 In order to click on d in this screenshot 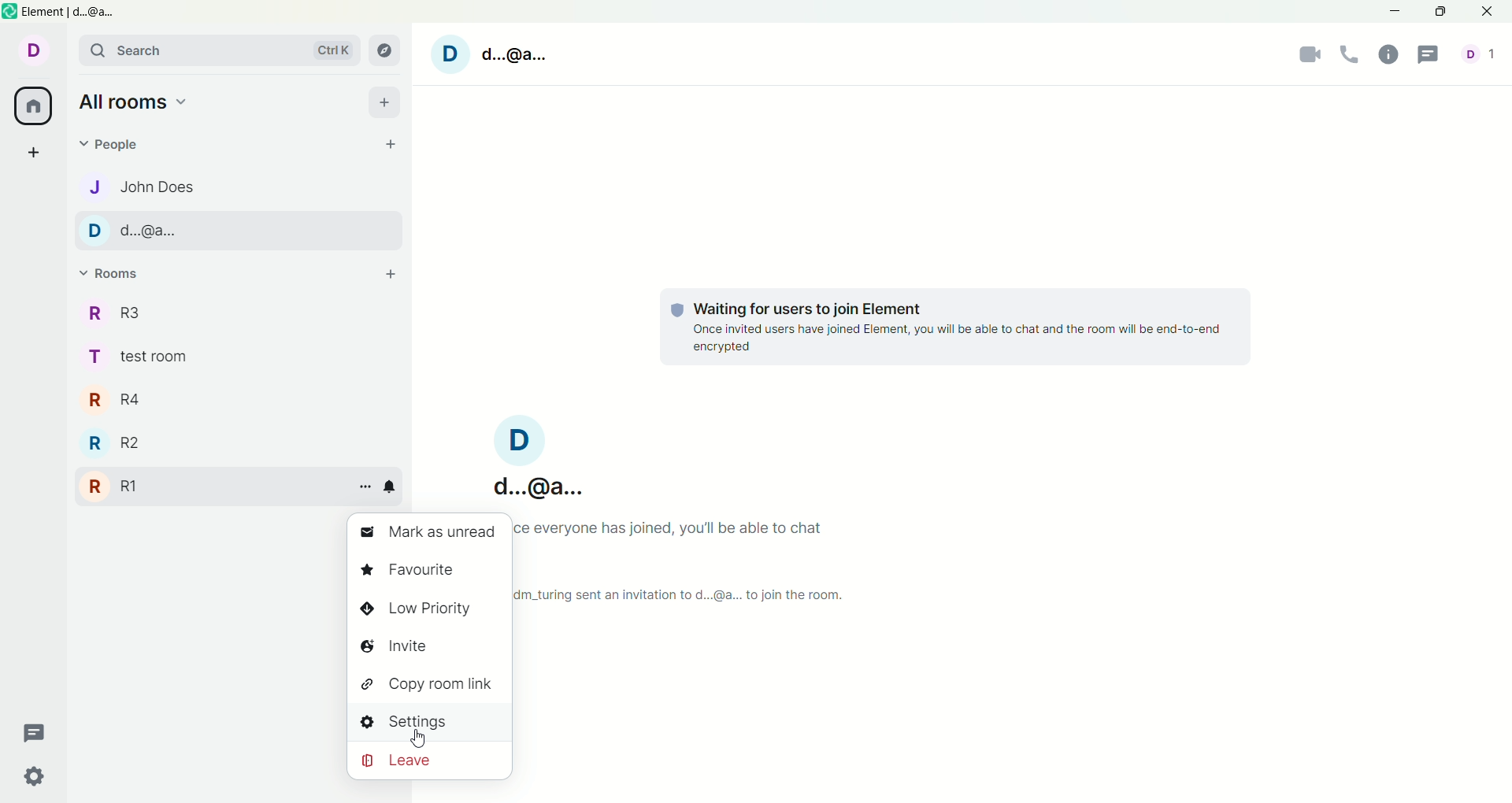, I will do `click(31, 54)`.